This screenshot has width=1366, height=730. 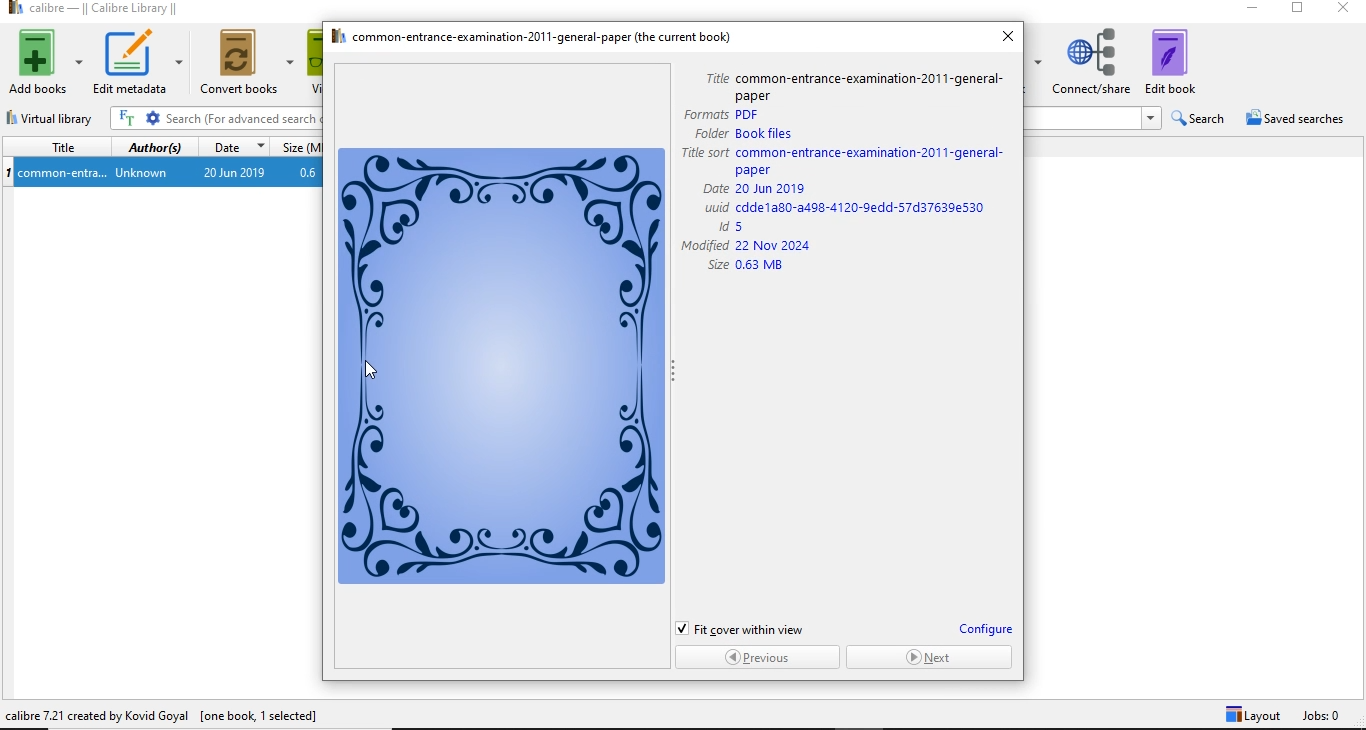 What do you see at coordinates (1296, 11) in the screenshot?
I see `Restore` at bounding box center [1296, 11].